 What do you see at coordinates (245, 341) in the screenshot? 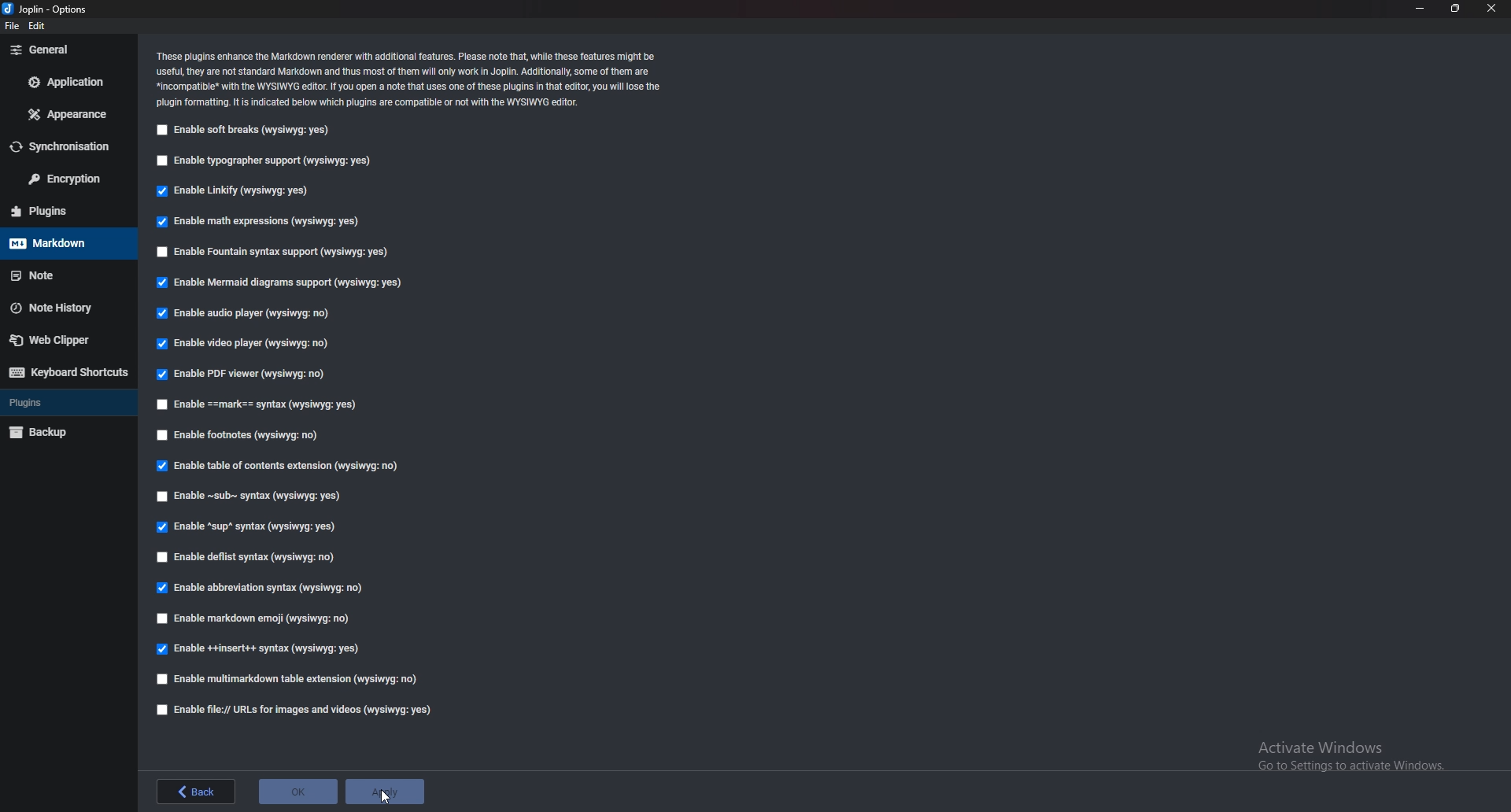
I see `enable video player` at bounding box center [245, 341].